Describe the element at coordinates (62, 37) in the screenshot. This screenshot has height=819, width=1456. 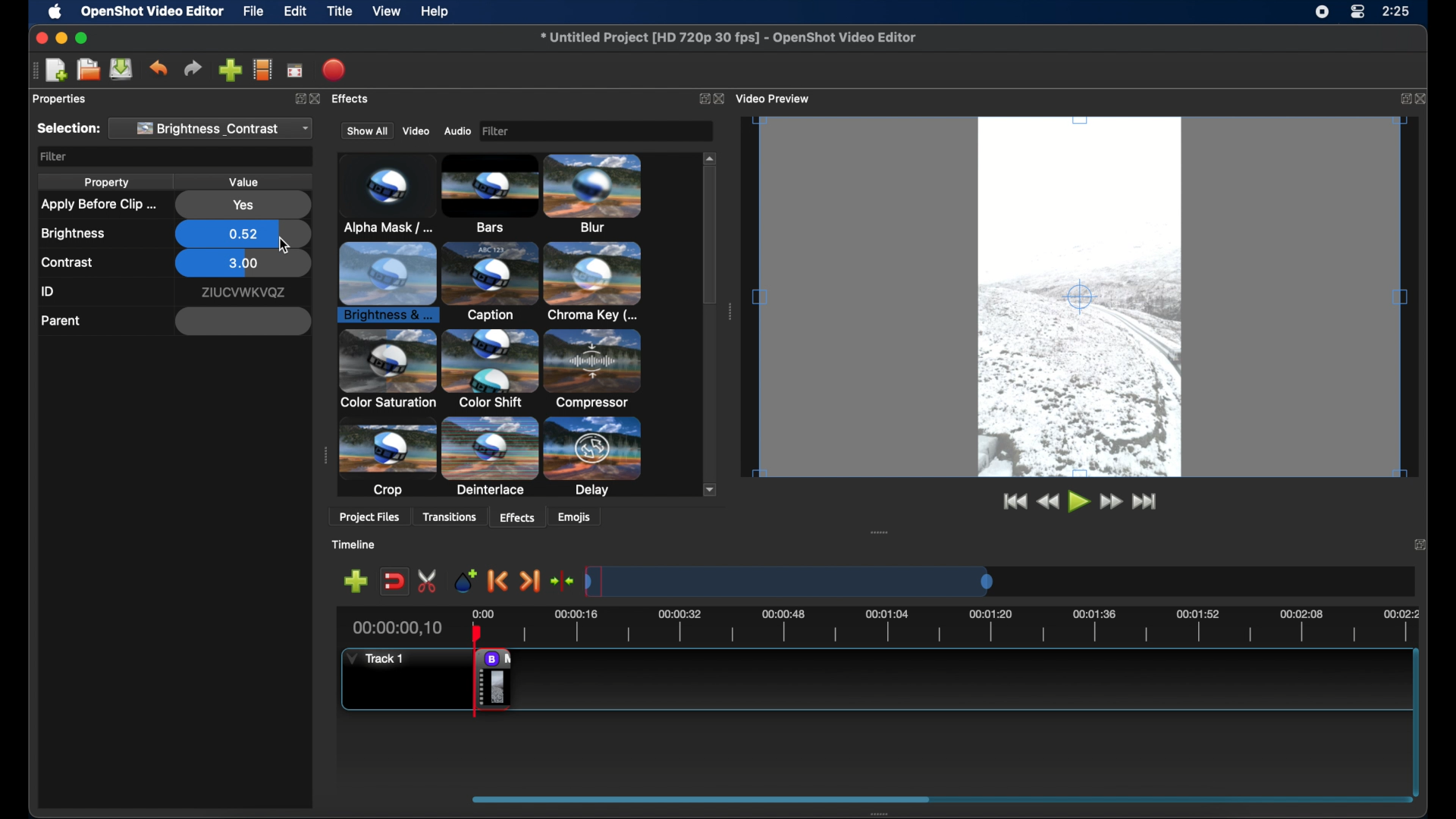
I see `minimize` at that location.